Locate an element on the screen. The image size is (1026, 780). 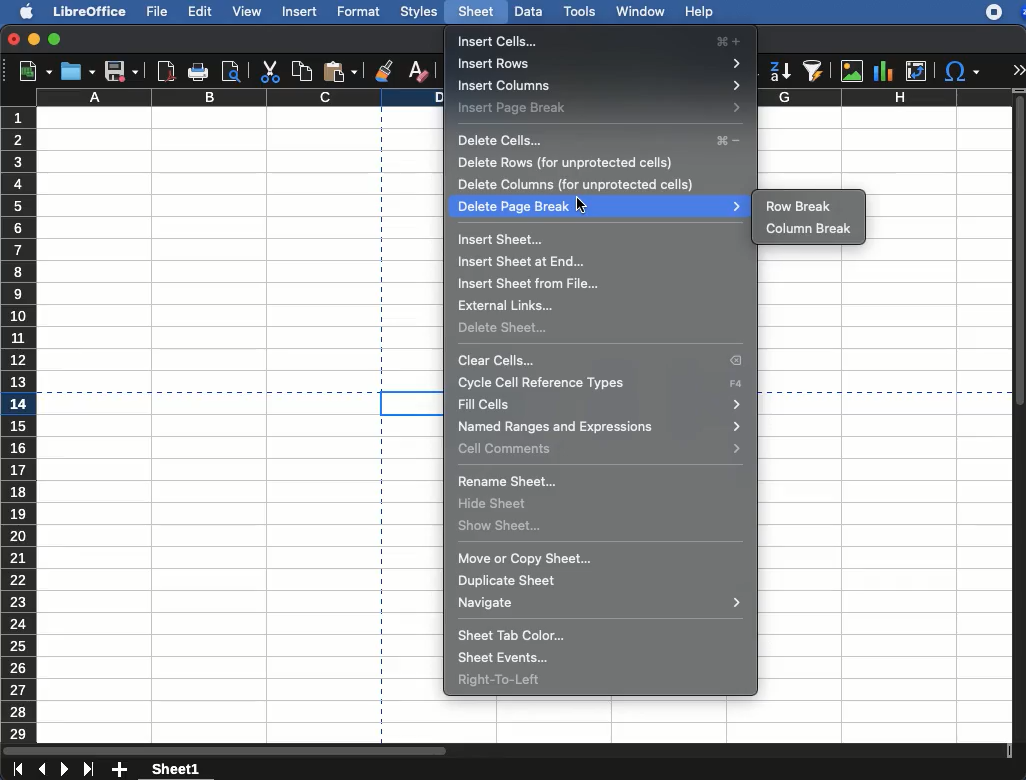
delete page break is located at coordinates (601, 207).